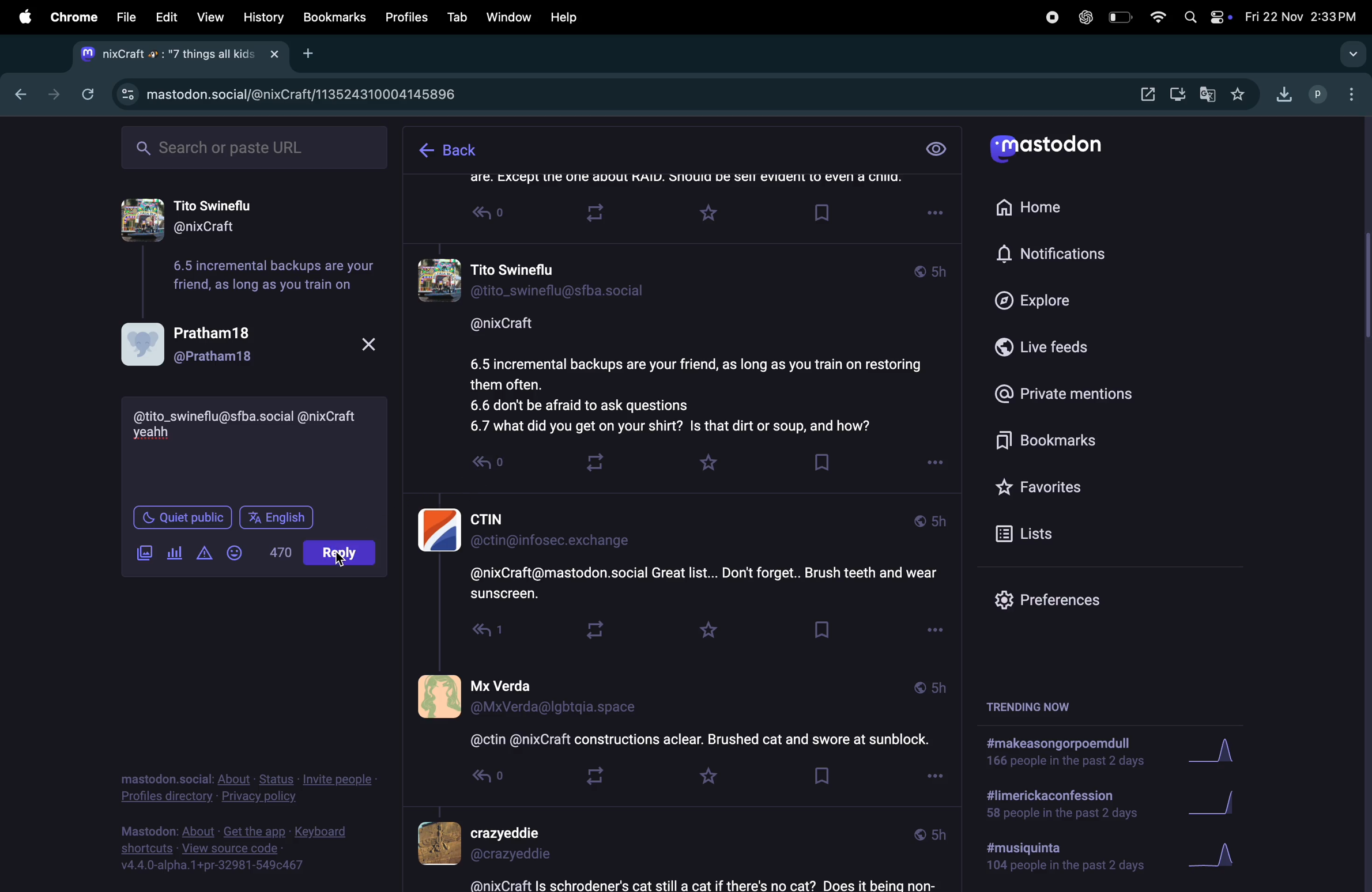 The width and height of the screenshot is (1372, 892). Describe the element at coordinates (404, 18) in the screenshot. I see `profiles` at that location.